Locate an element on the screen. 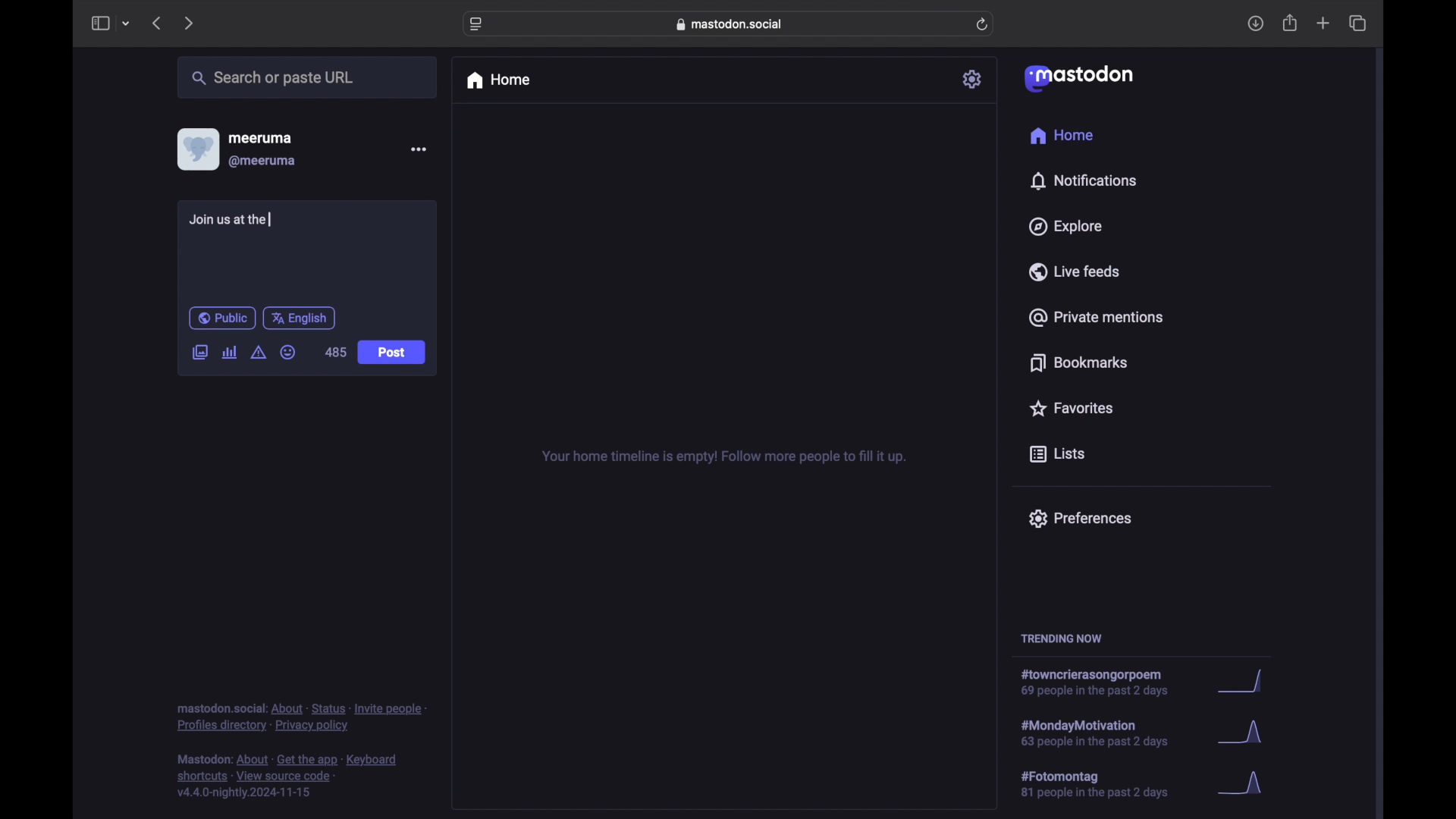 This screenshot has height=819, width=1456. Post is located at coordinates (393, 353).